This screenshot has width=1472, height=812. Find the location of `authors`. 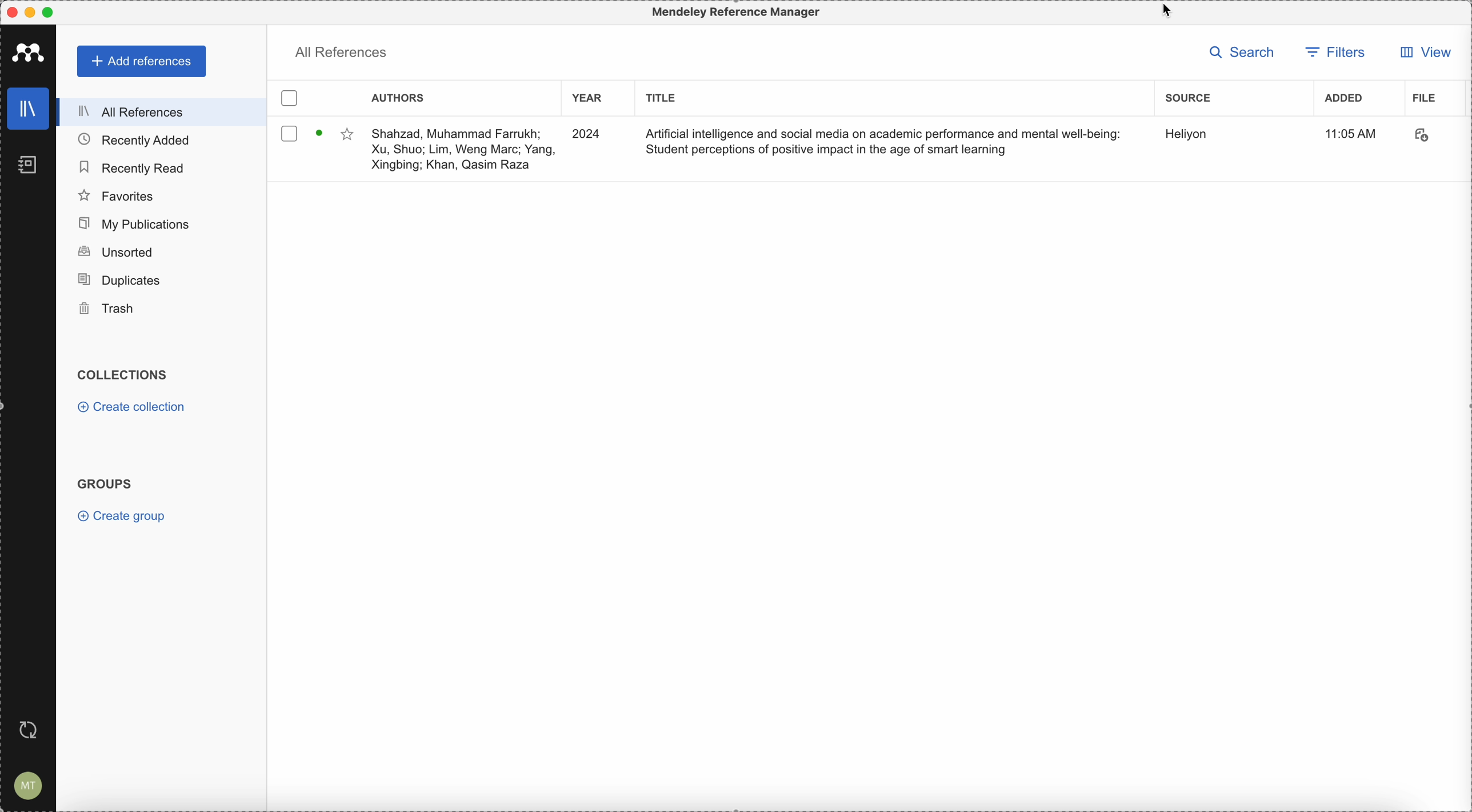

authors is located at coordinates (398, 99).